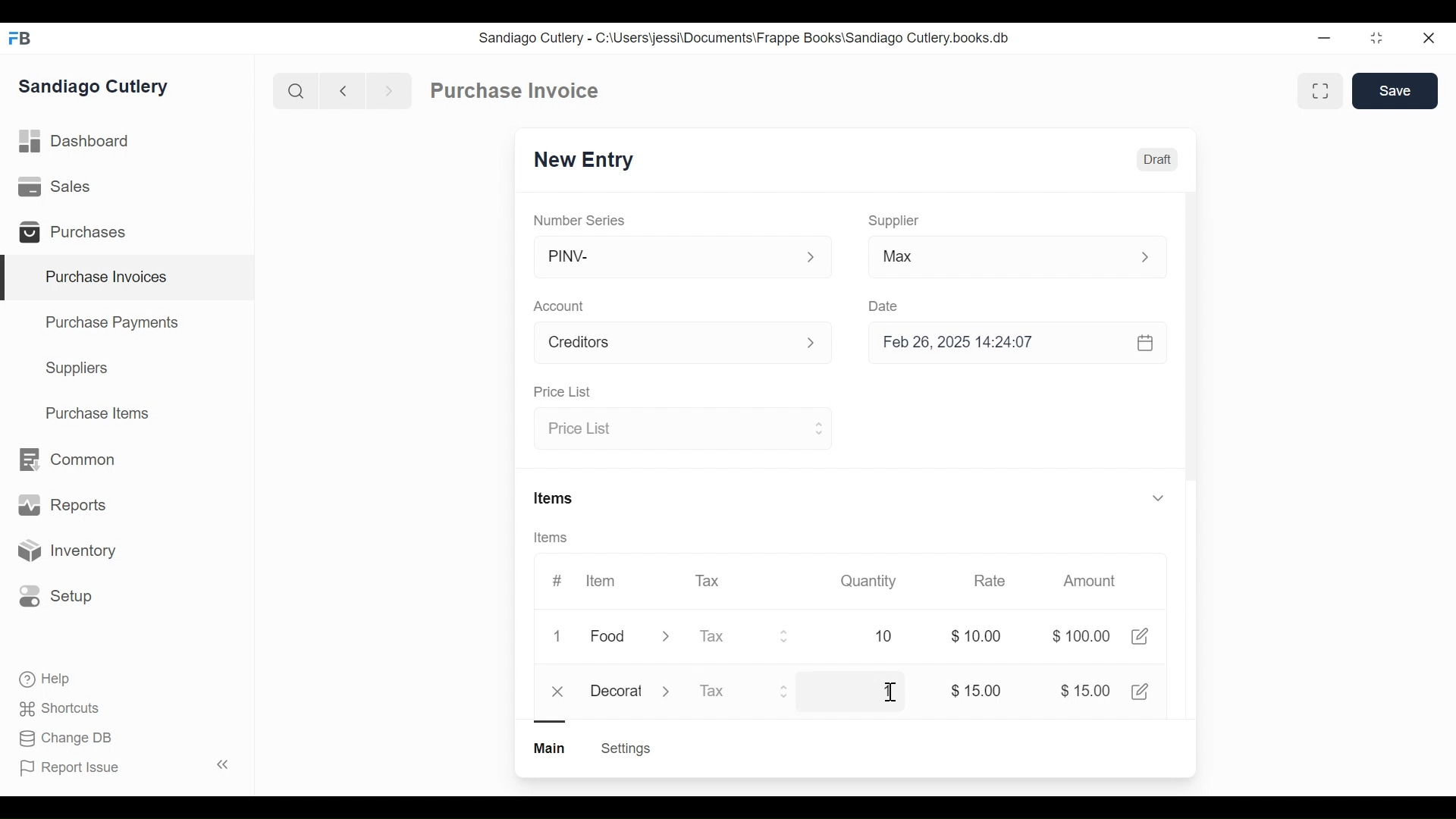 This screenshot has width=1456, height=819. What do you see at coordinates (1085, 690) in the screenshot?
I see `$15.00` at bounding box center [1085, 690].